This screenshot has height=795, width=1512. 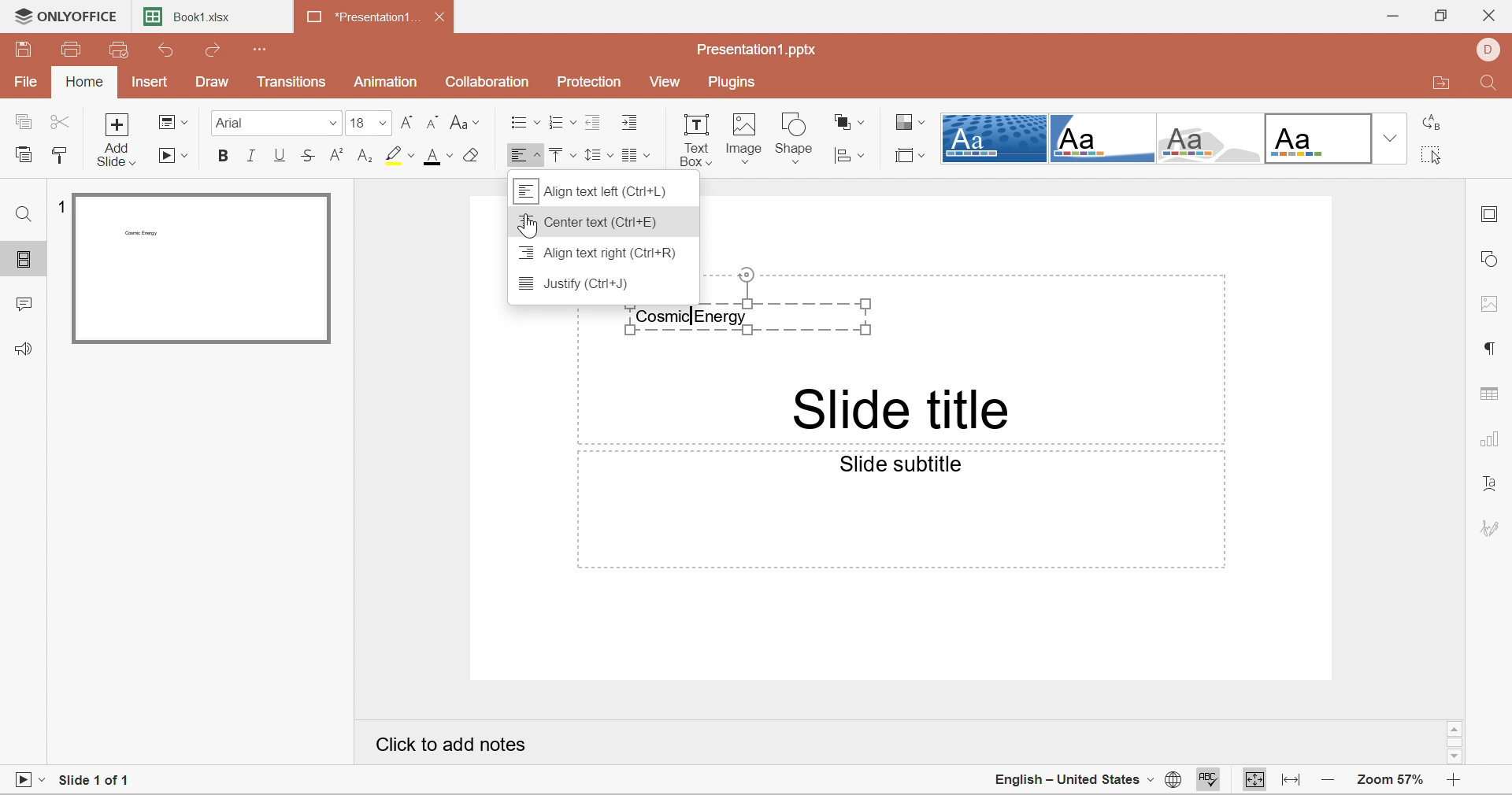 I want to click on Animation, so click(x=385, y=82).